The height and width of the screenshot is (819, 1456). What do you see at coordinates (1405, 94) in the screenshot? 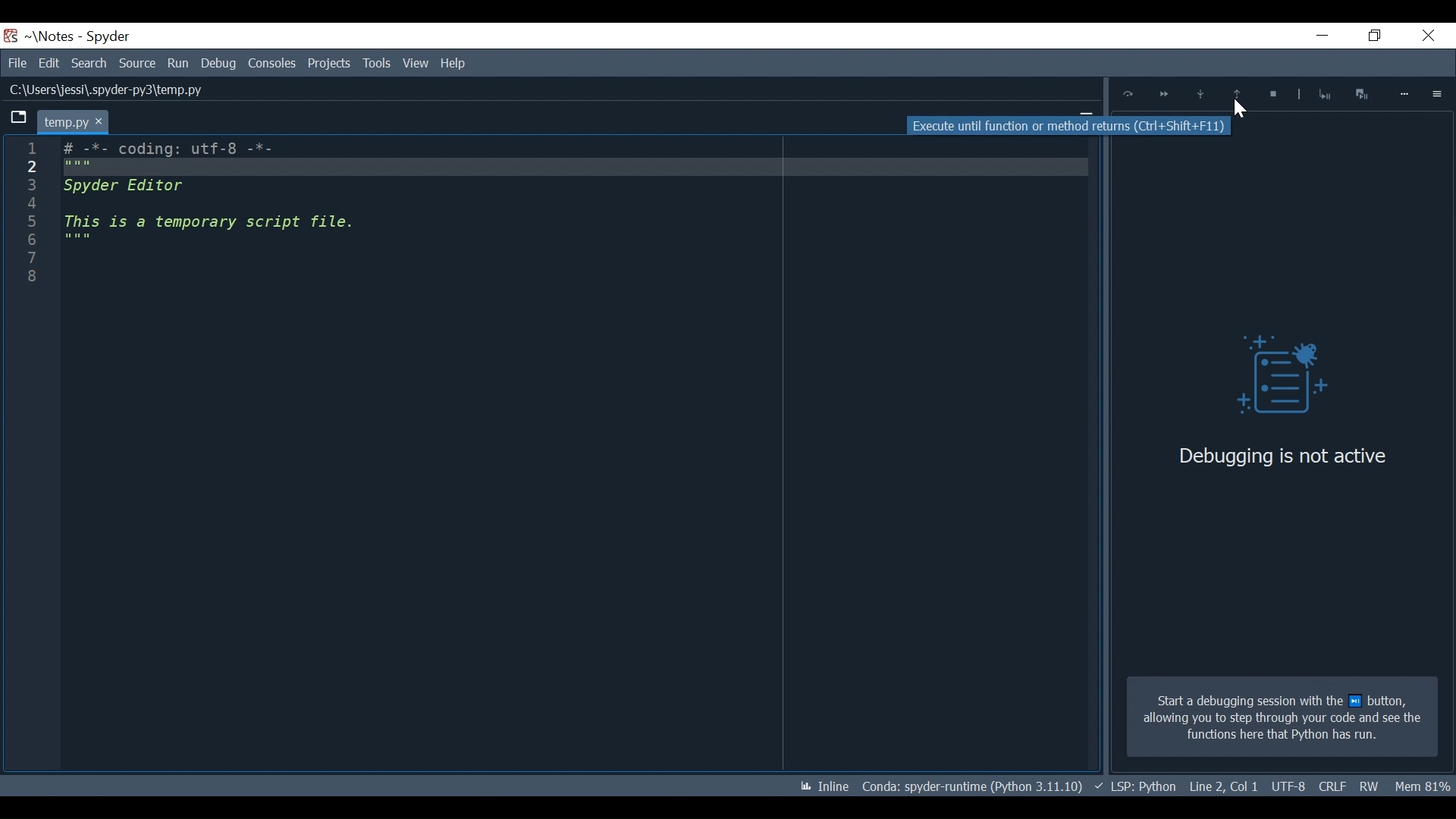
I see `More` at bounding box center [1405, 94].